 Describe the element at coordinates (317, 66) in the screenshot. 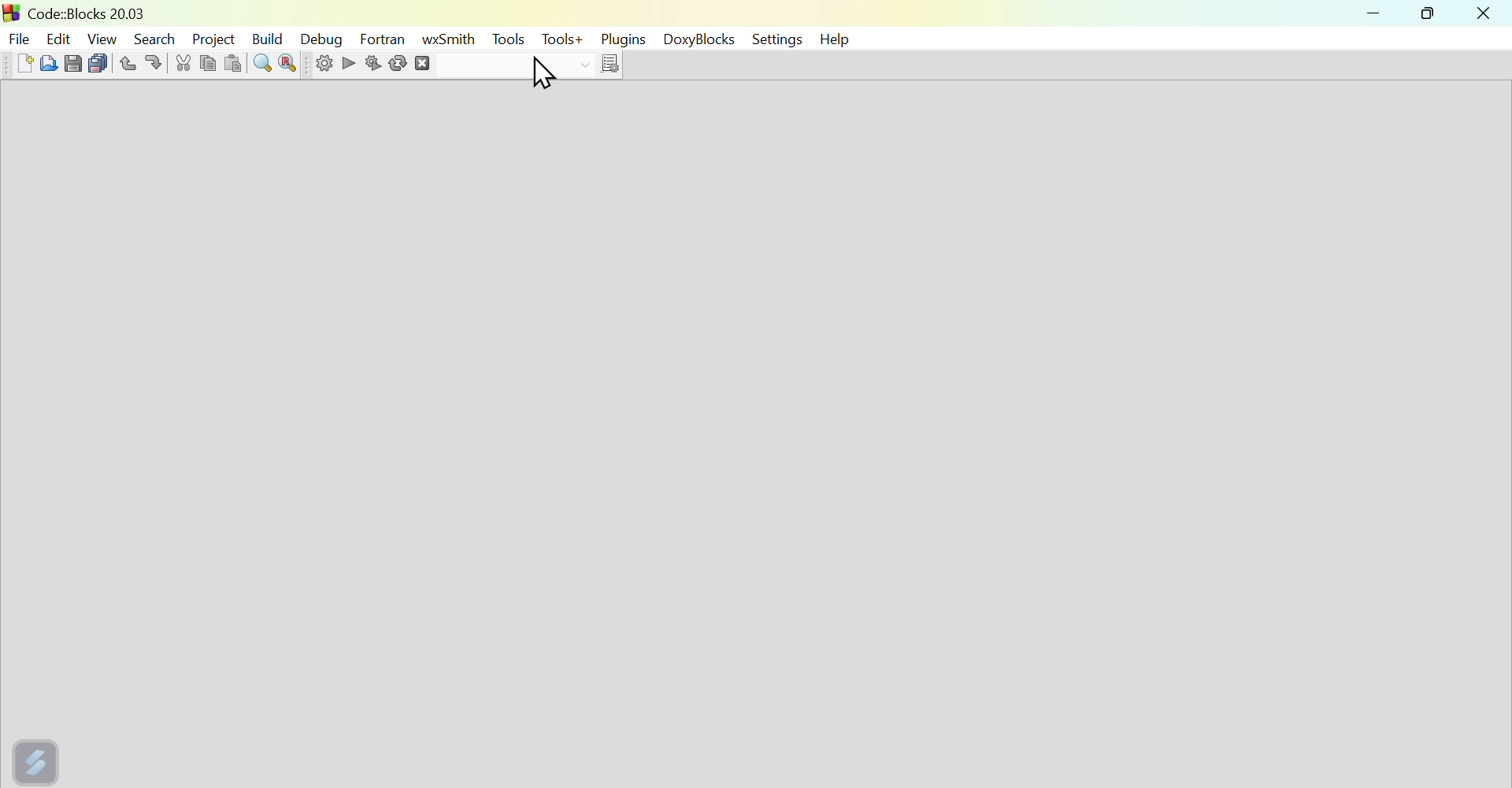

I see `Settings` at that location.